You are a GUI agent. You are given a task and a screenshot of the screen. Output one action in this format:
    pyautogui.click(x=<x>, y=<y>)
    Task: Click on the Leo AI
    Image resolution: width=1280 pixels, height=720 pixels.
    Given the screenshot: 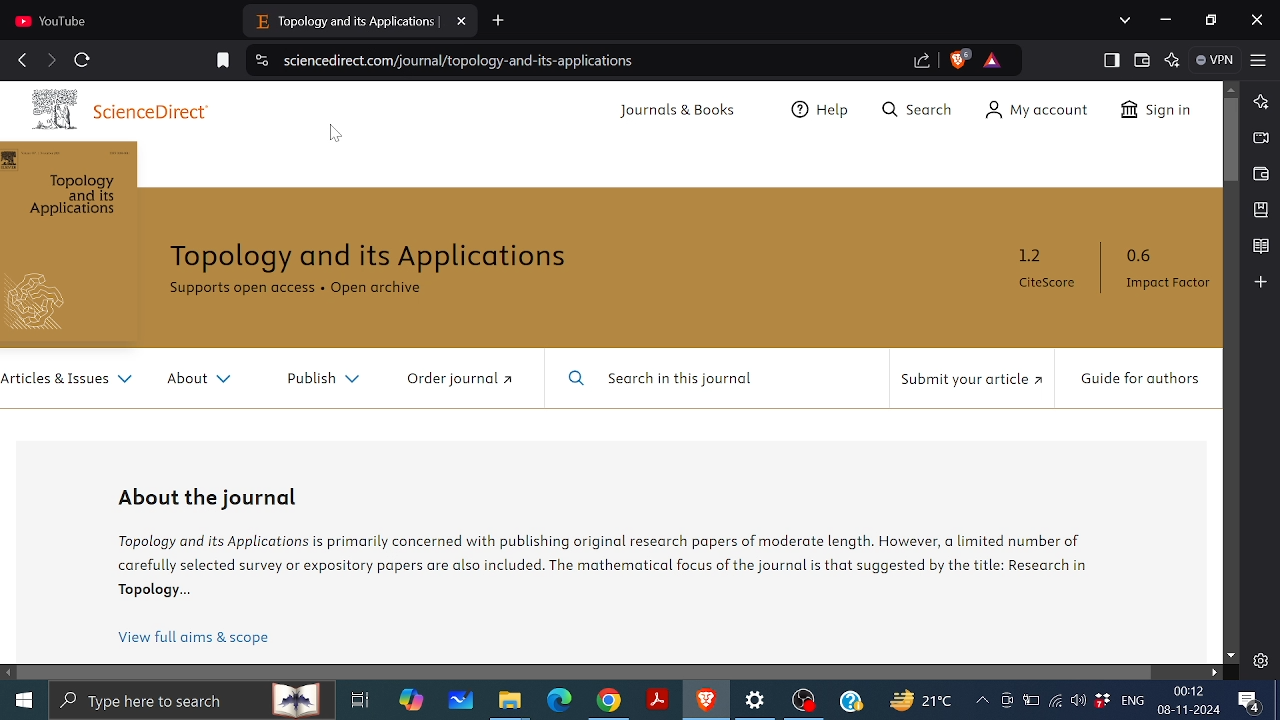 What is the action you would take?
    pyautogui.click(x=1174, y=60)
    